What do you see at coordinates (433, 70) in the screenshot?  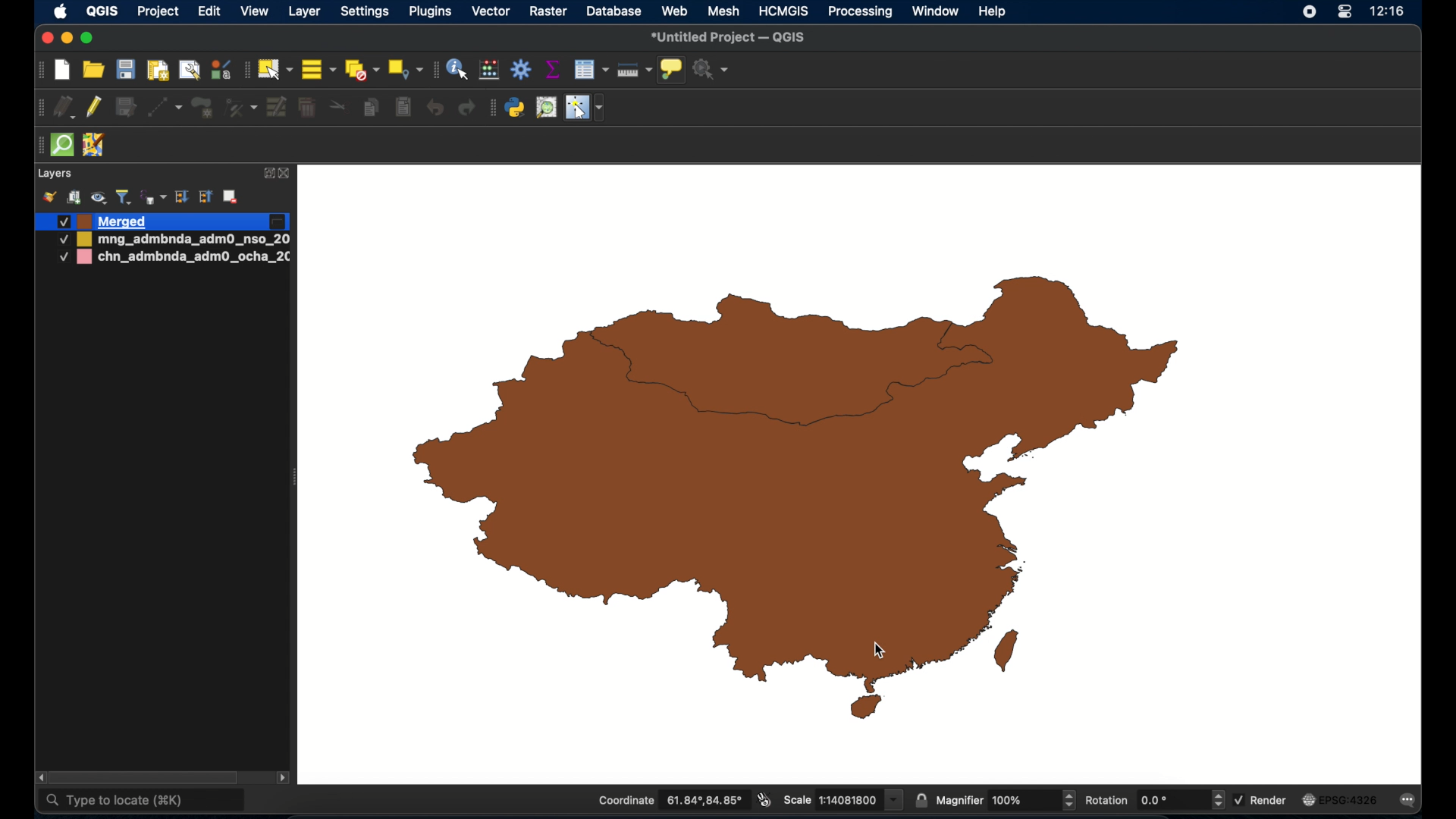 I see `attributes toolbar` at bounding box center [433, 70].